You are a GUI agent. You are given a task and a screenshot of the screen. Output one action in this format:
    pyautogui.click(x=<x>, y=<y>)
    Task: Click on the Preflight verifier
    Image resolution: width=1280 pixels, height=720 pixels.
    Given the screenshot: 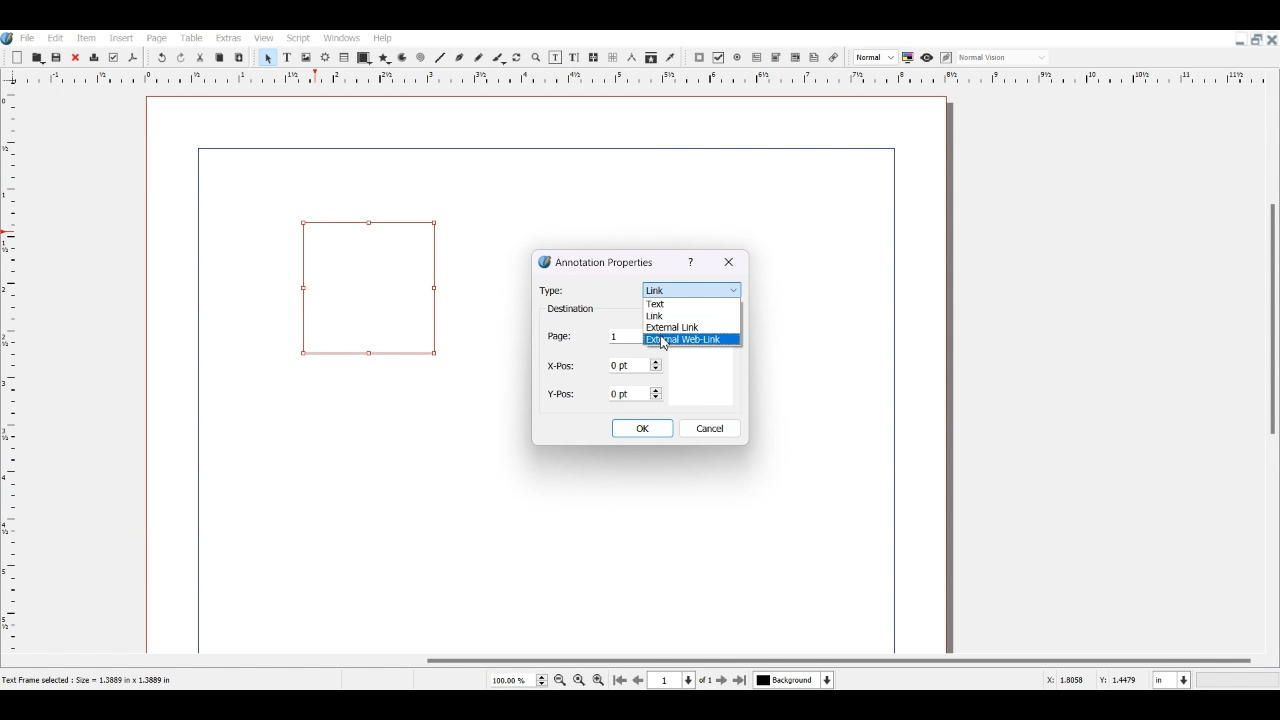 What is the action you would take?
    pyautogui.click(x=113, y=58)
    